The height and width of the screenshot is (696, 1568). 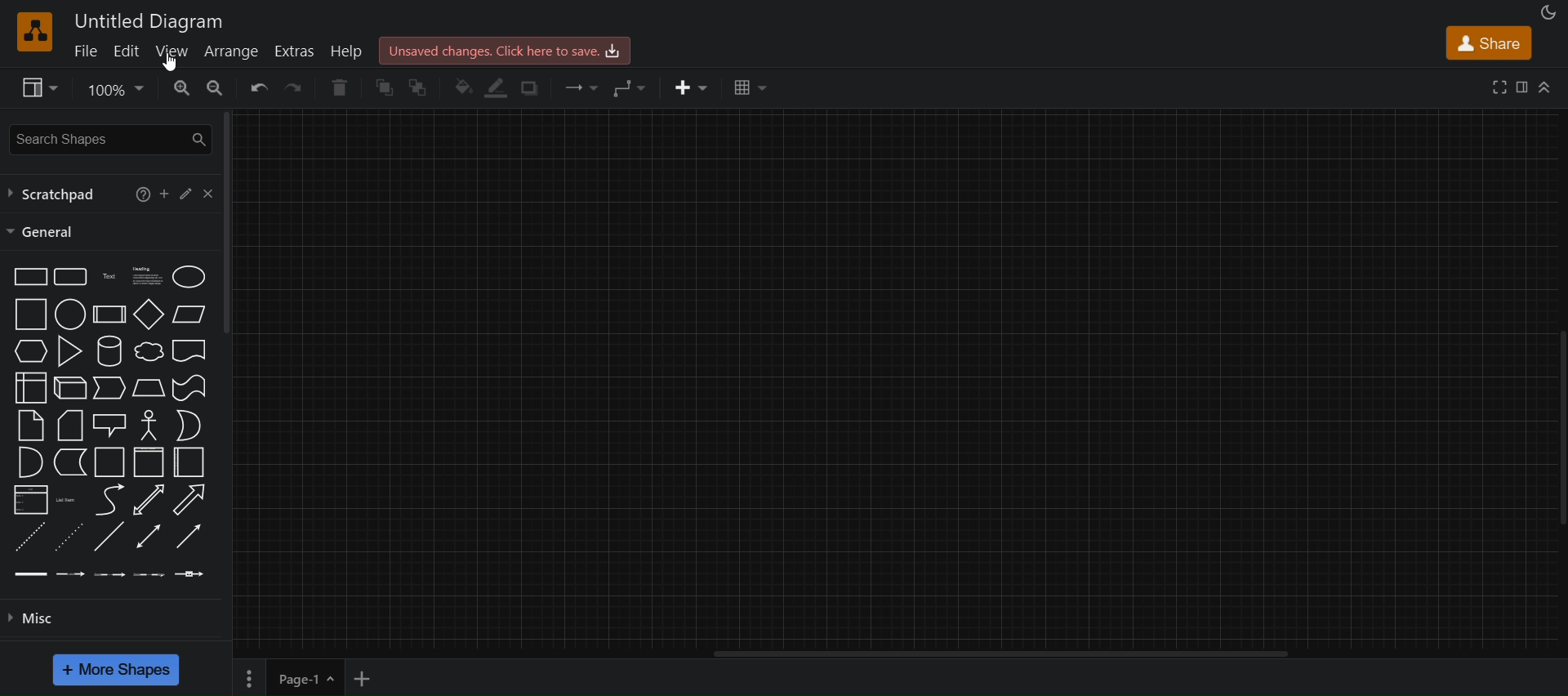 What do you see at coordinates (143, 195) in the screenshot?
I see `help` at bounding box center [143, 195].